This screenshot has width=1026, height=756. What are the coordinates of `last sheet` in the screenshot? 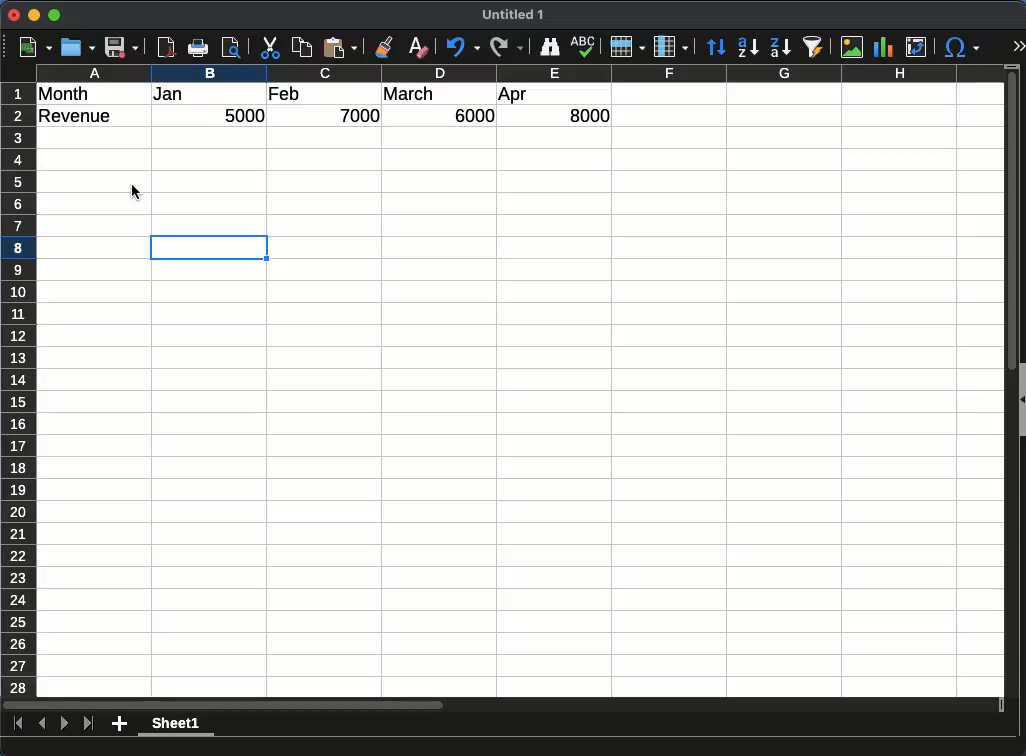 It's located at (88, 723).